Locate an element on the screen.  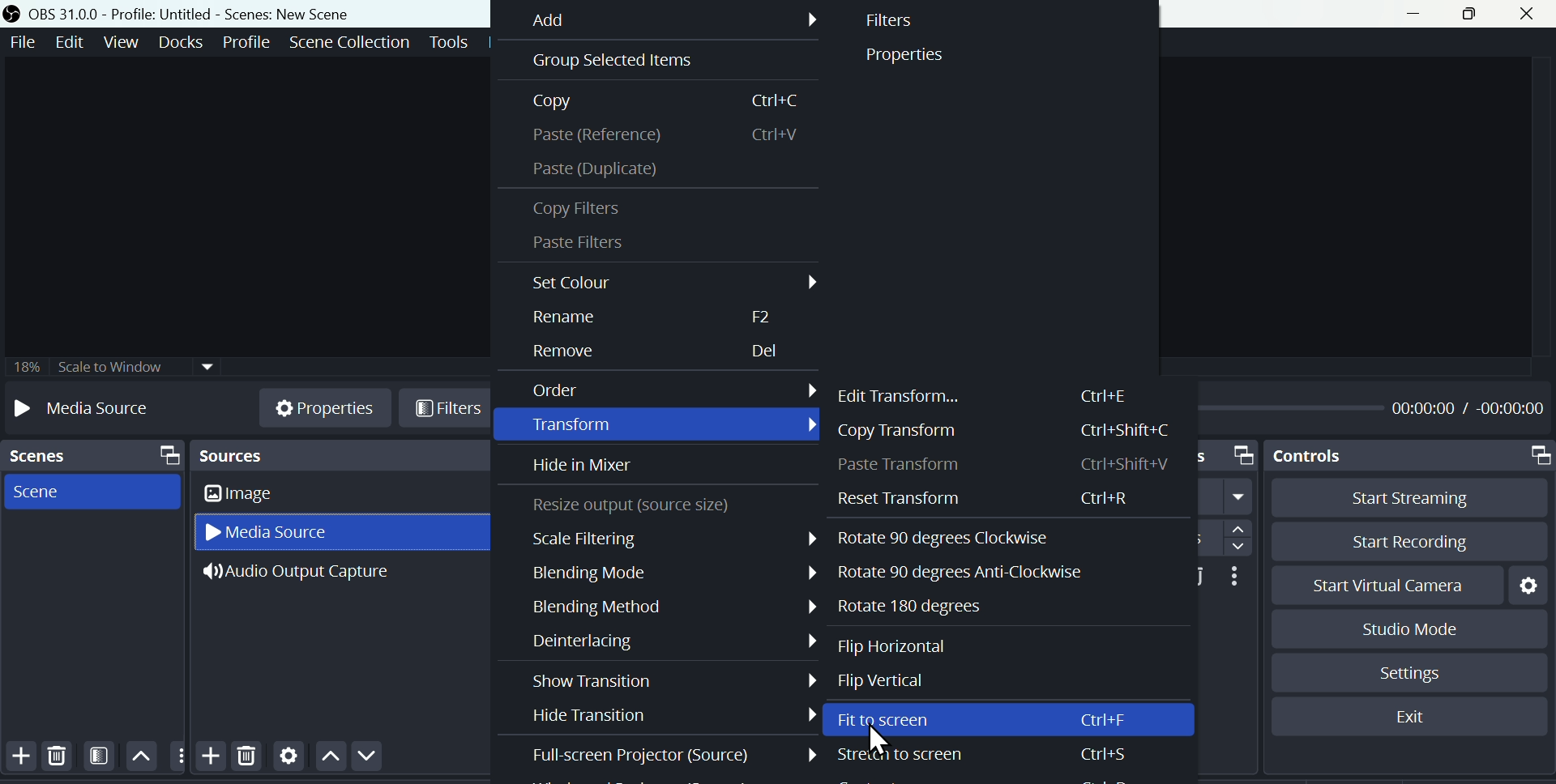
Delete is located at coordinates (62, 759).